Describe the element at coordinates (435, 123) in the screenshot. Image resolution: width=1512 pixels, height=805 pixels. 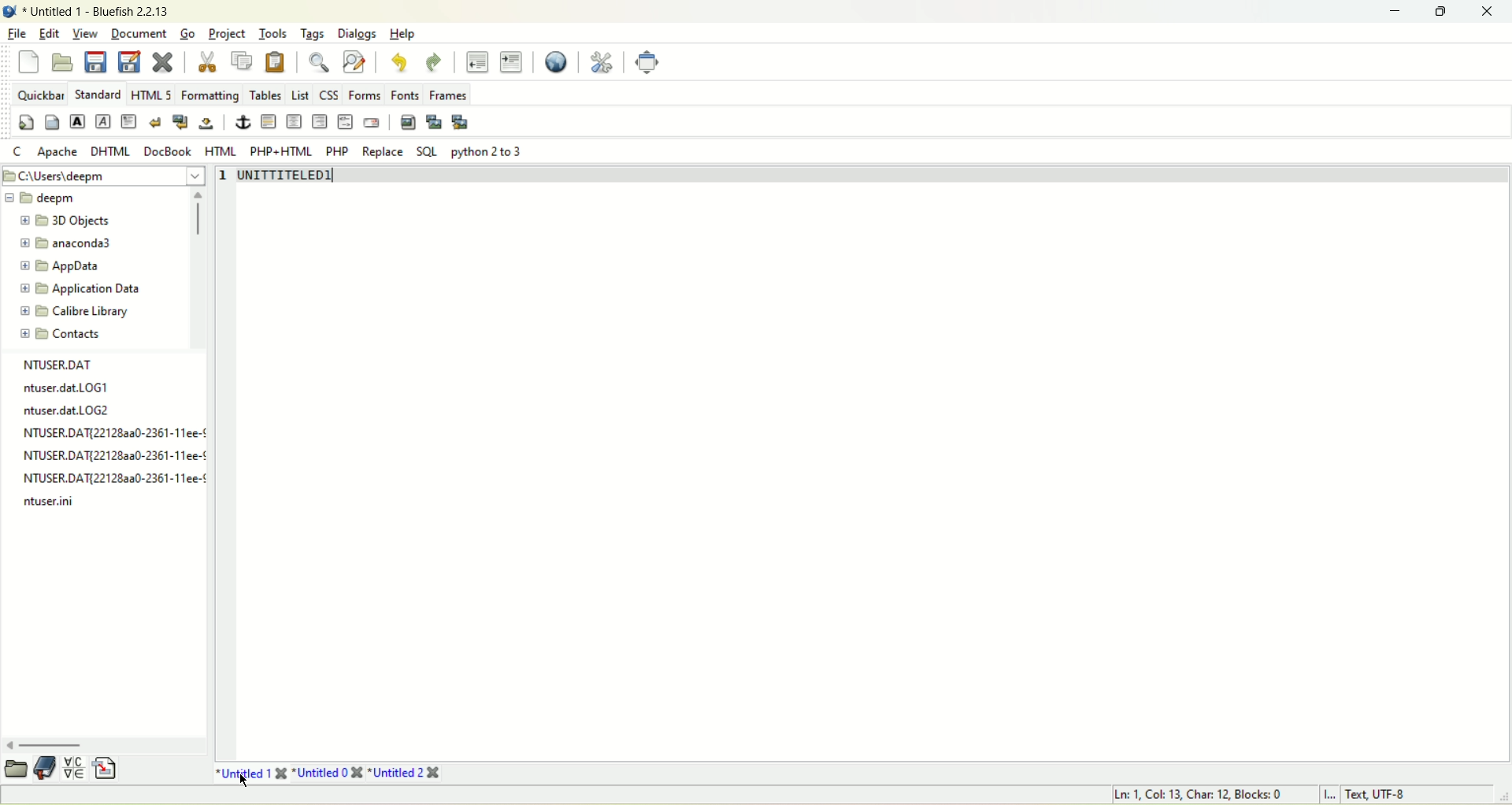
I see `insert thumbnail` at that location.